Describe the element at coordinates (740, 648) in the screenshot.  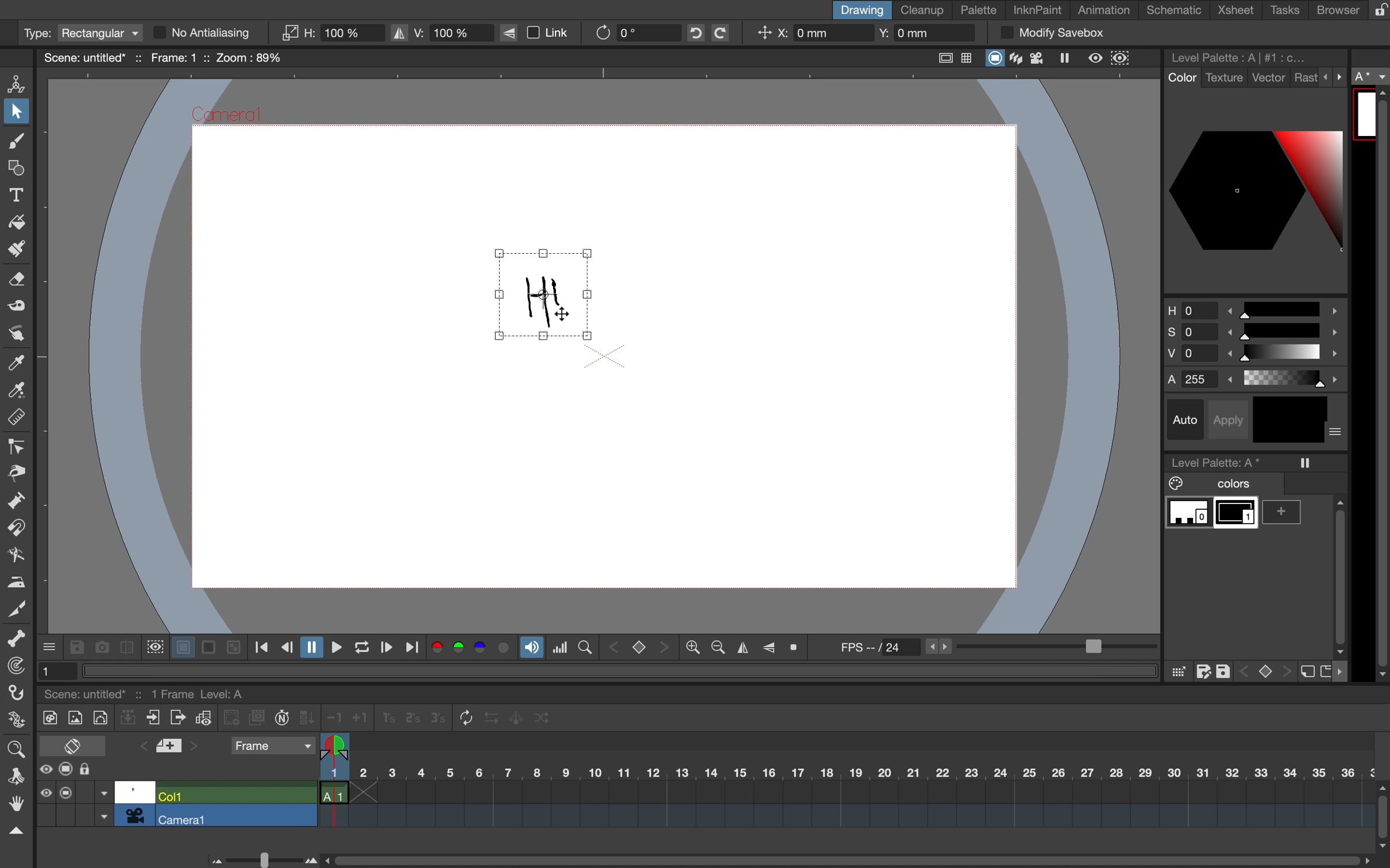
I see `flip horizontally` at that location.